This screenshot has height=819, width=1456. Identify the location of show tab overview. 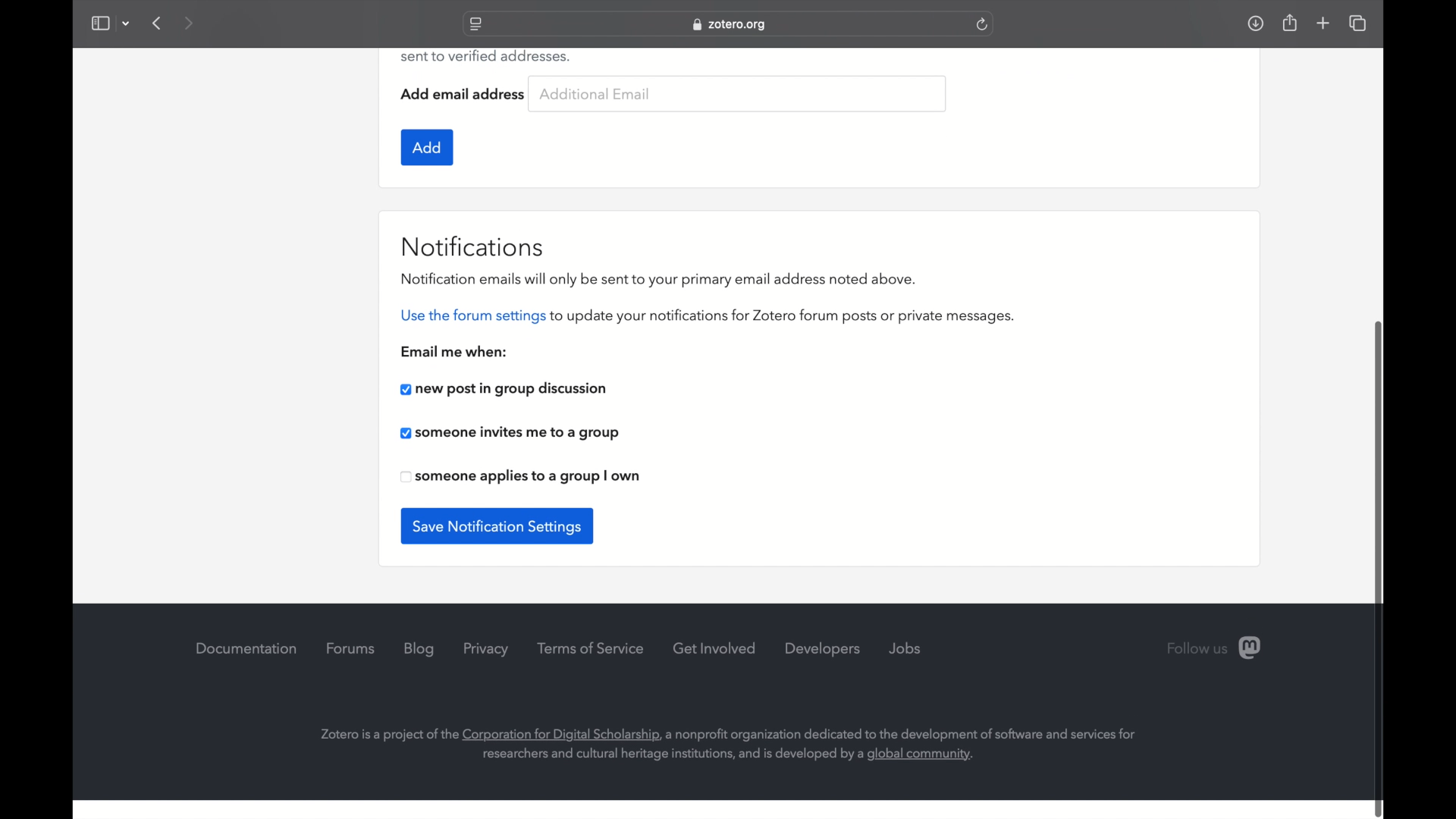
(1359, 24).